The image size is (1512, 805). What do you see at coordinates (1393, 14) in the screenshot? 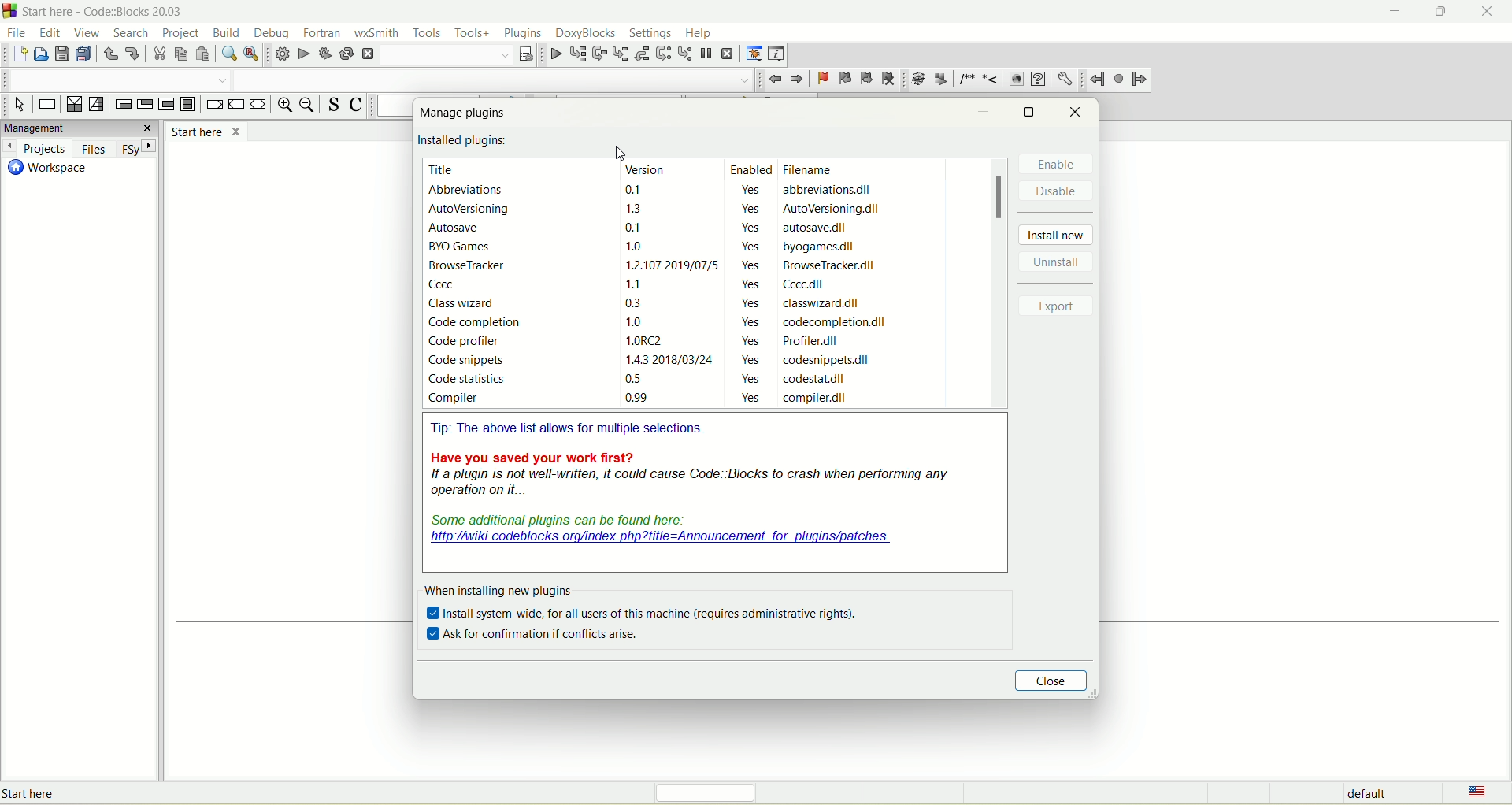
I see `minimize` at bounding box center [1393, 14].